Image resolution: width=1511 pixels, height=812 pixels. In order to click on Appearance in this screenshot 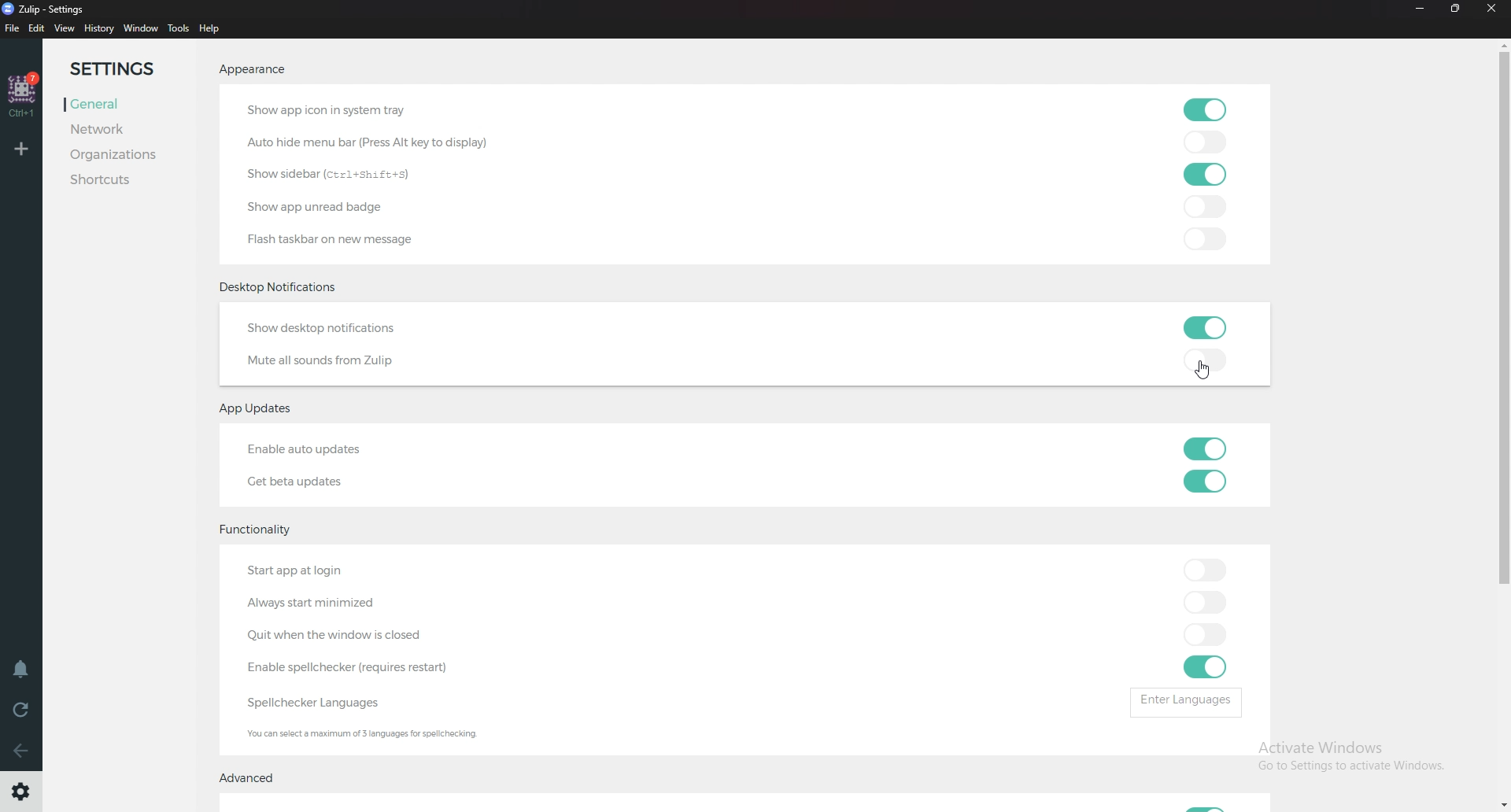, I will do `click(253, 68)`.